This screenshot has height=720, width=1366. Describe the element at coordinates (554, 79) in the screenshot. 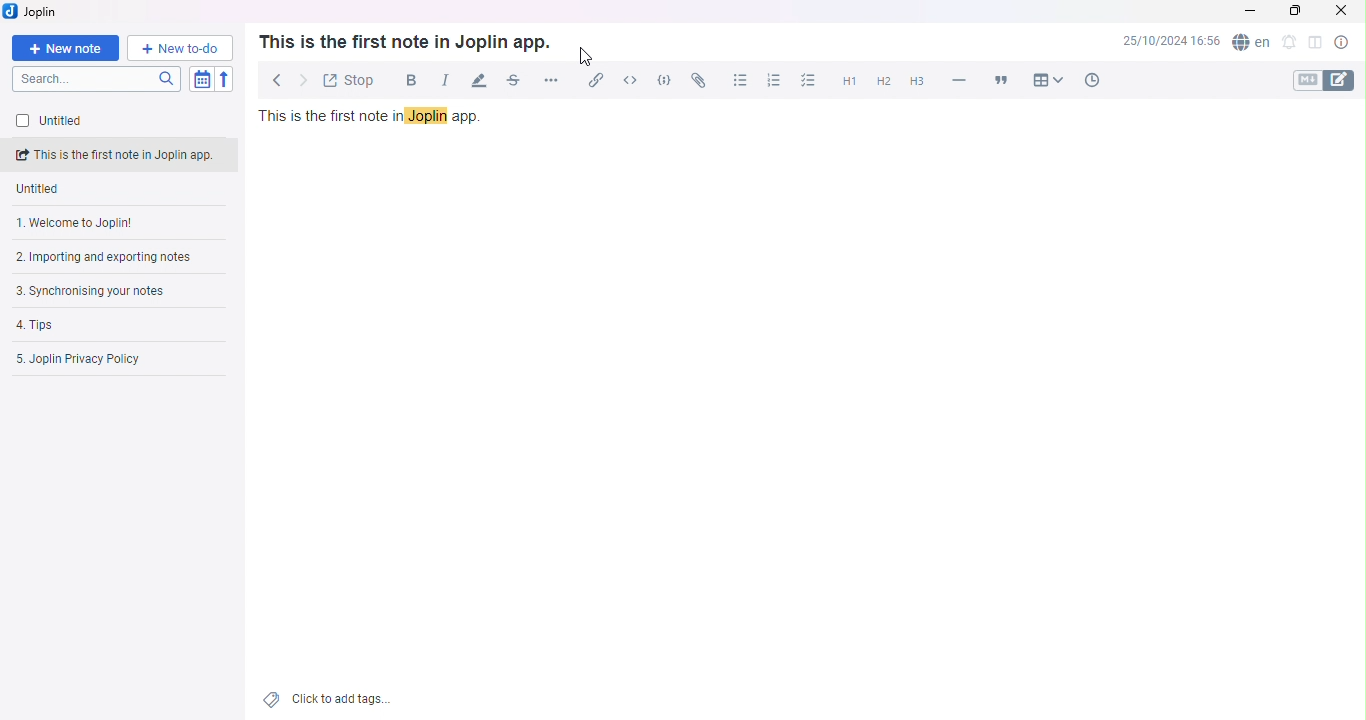

I see `More options` at that location.